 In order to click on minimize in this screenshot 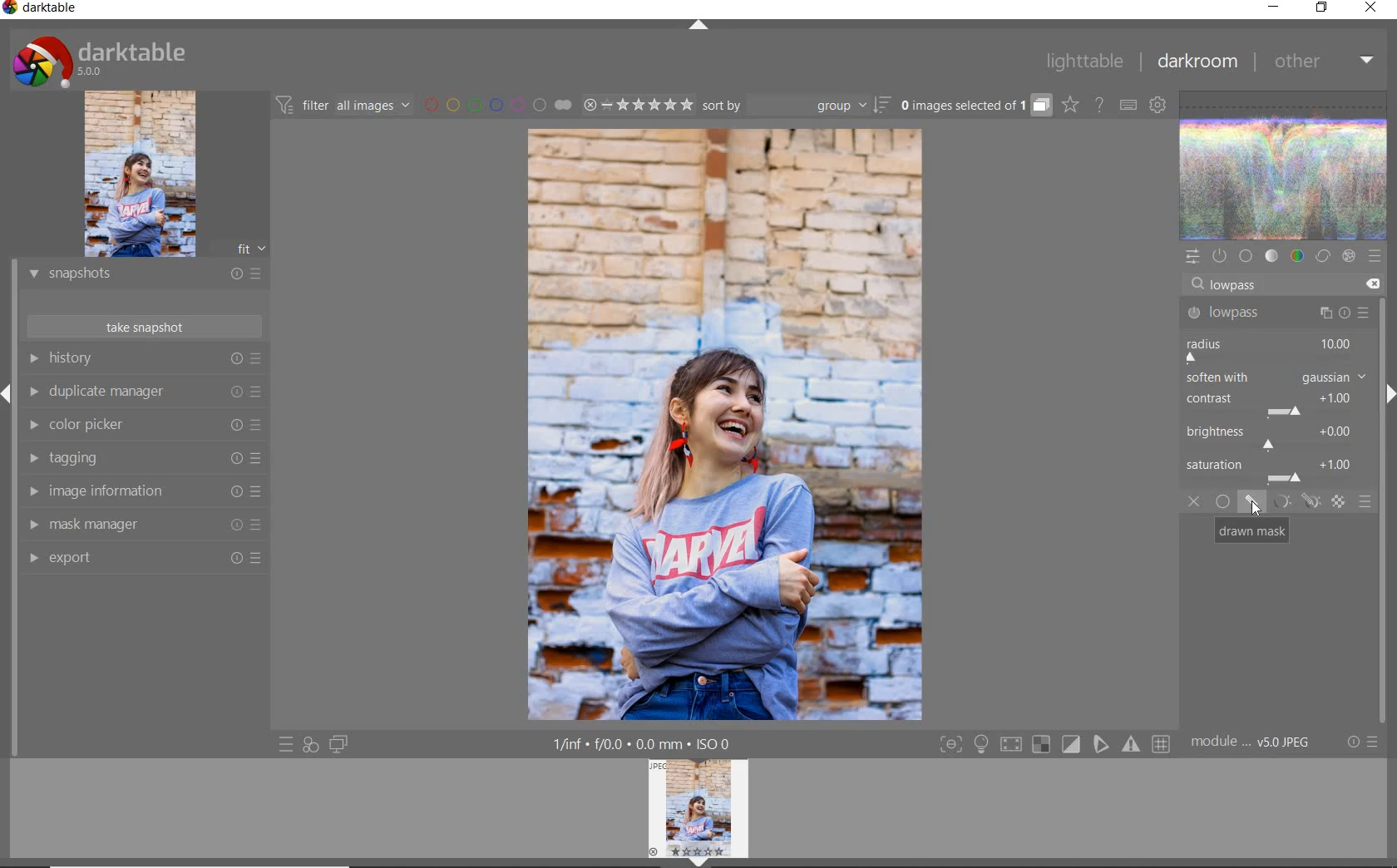, I will do `click(1275, 8)`.